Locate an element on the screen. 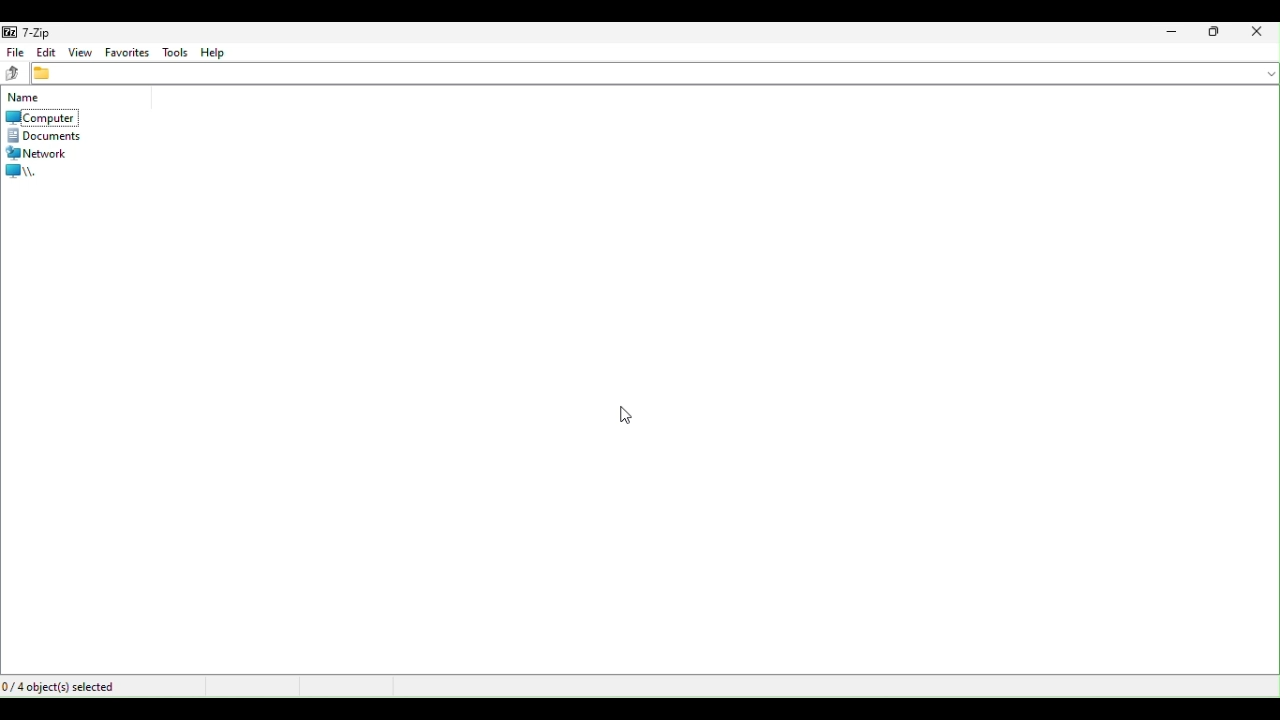 This screenshot has width=1280, height=720. 7 zip  is located at coordinates (34, 31).